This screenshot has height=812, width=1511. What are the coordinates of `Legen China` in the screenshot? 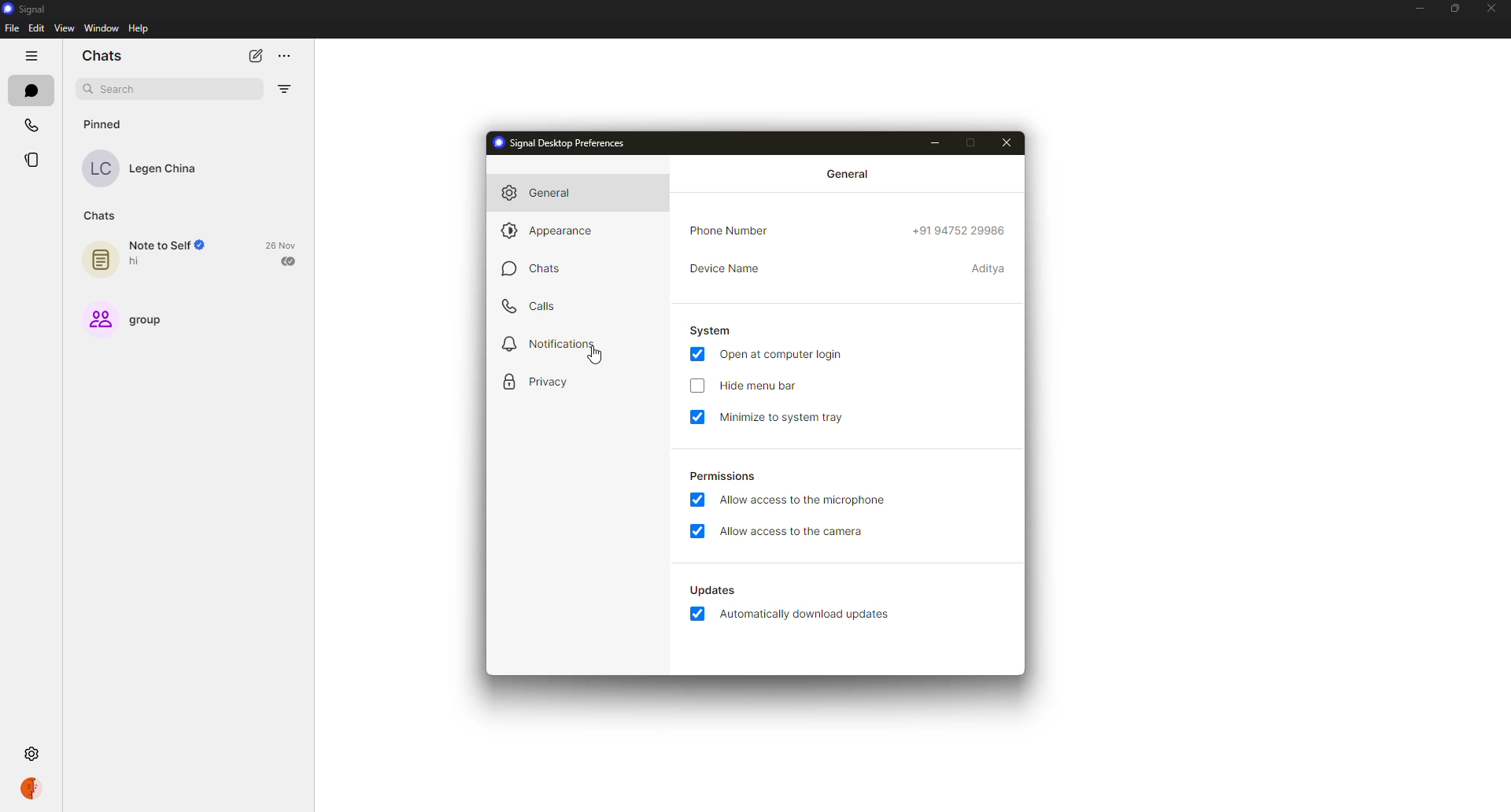 It's located at (164, 169).